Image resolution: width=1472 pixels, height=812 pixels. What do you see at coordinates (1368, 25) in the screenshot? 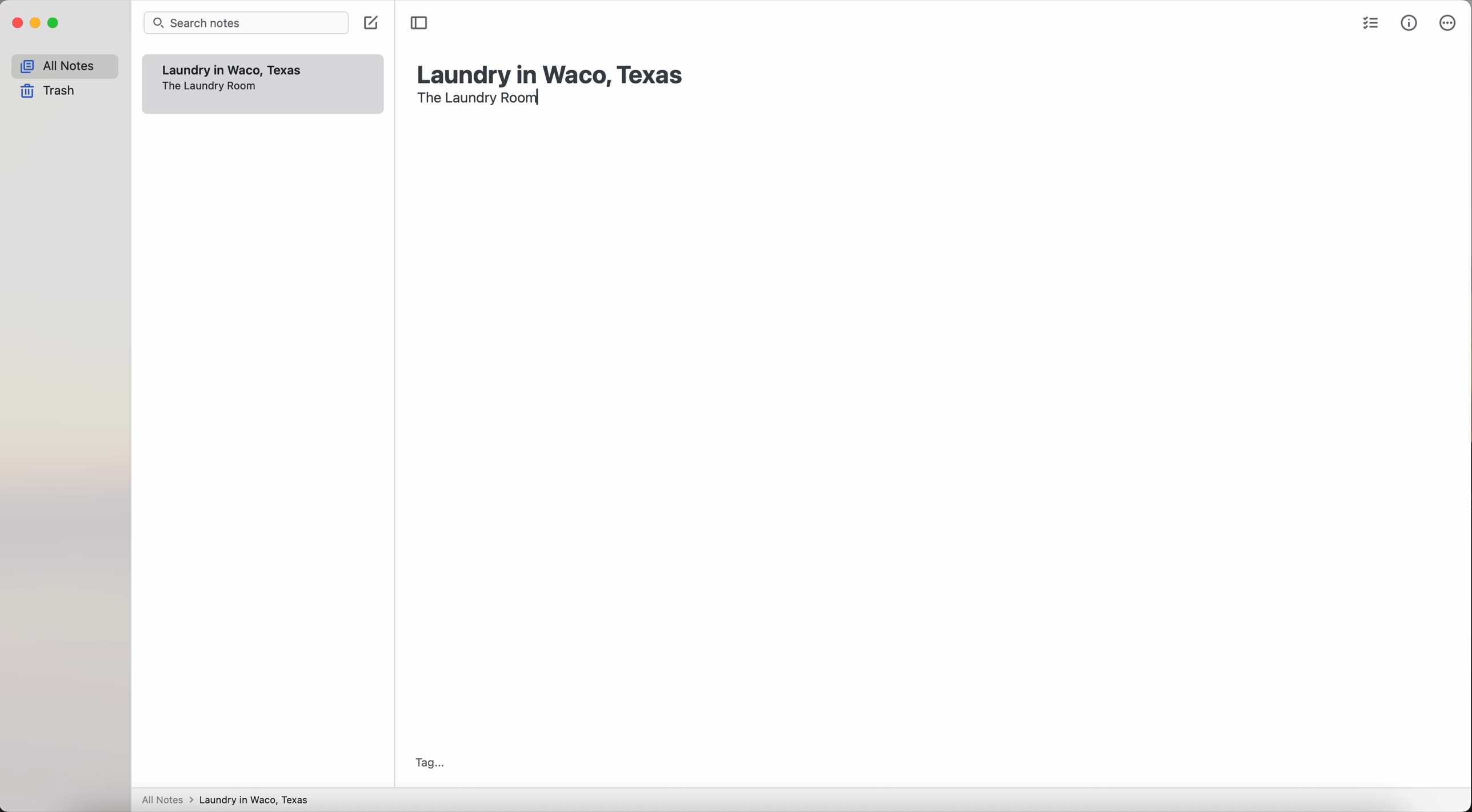
I see `check list` at bounding box center [1368, 25].